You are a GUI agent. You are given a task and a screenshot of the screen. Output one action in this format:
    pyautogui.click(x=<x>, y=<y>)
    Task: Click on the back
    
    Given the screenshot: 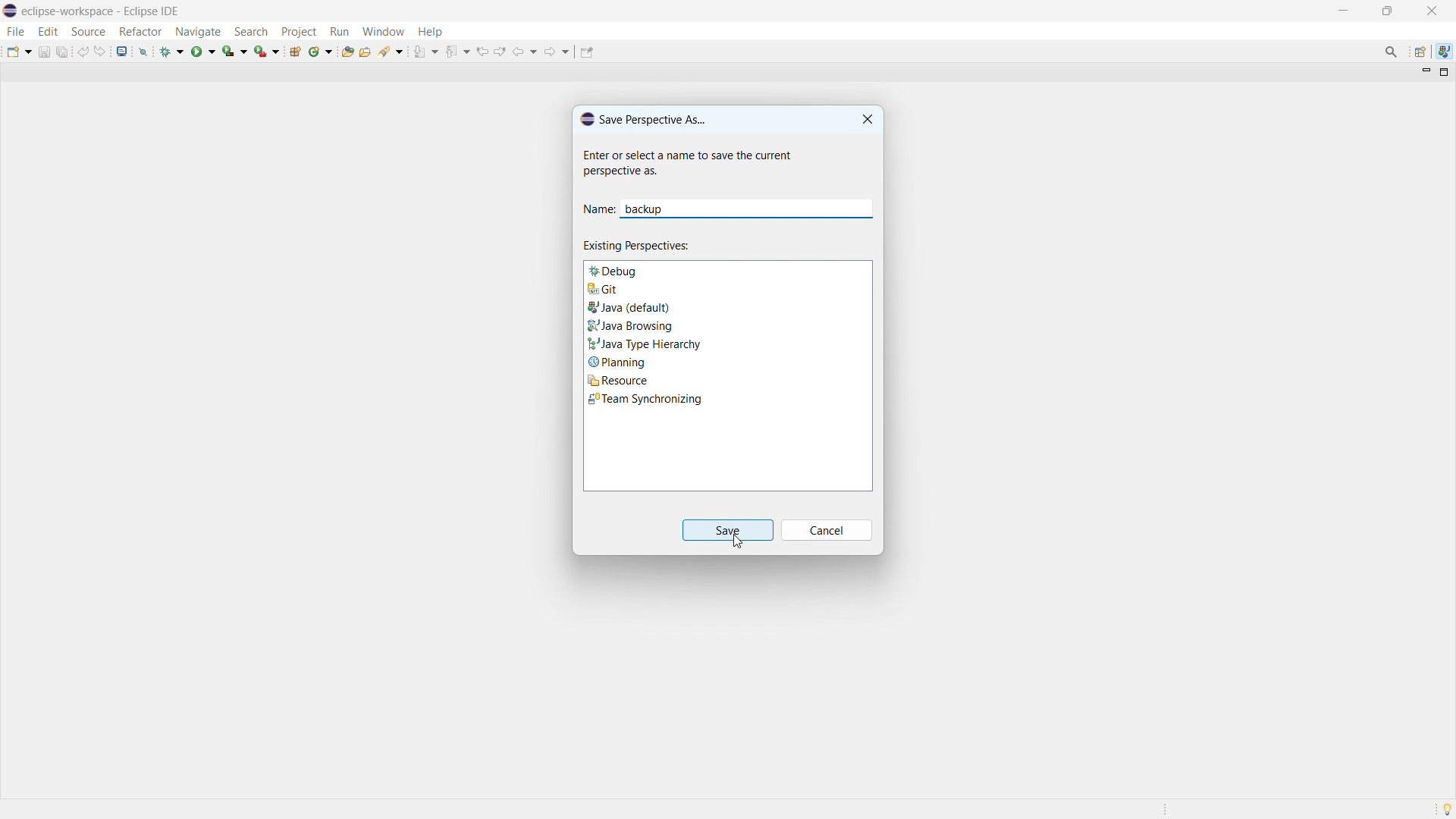 What is the action you would take?
    pyautogui.click(x=526, y=52)
    